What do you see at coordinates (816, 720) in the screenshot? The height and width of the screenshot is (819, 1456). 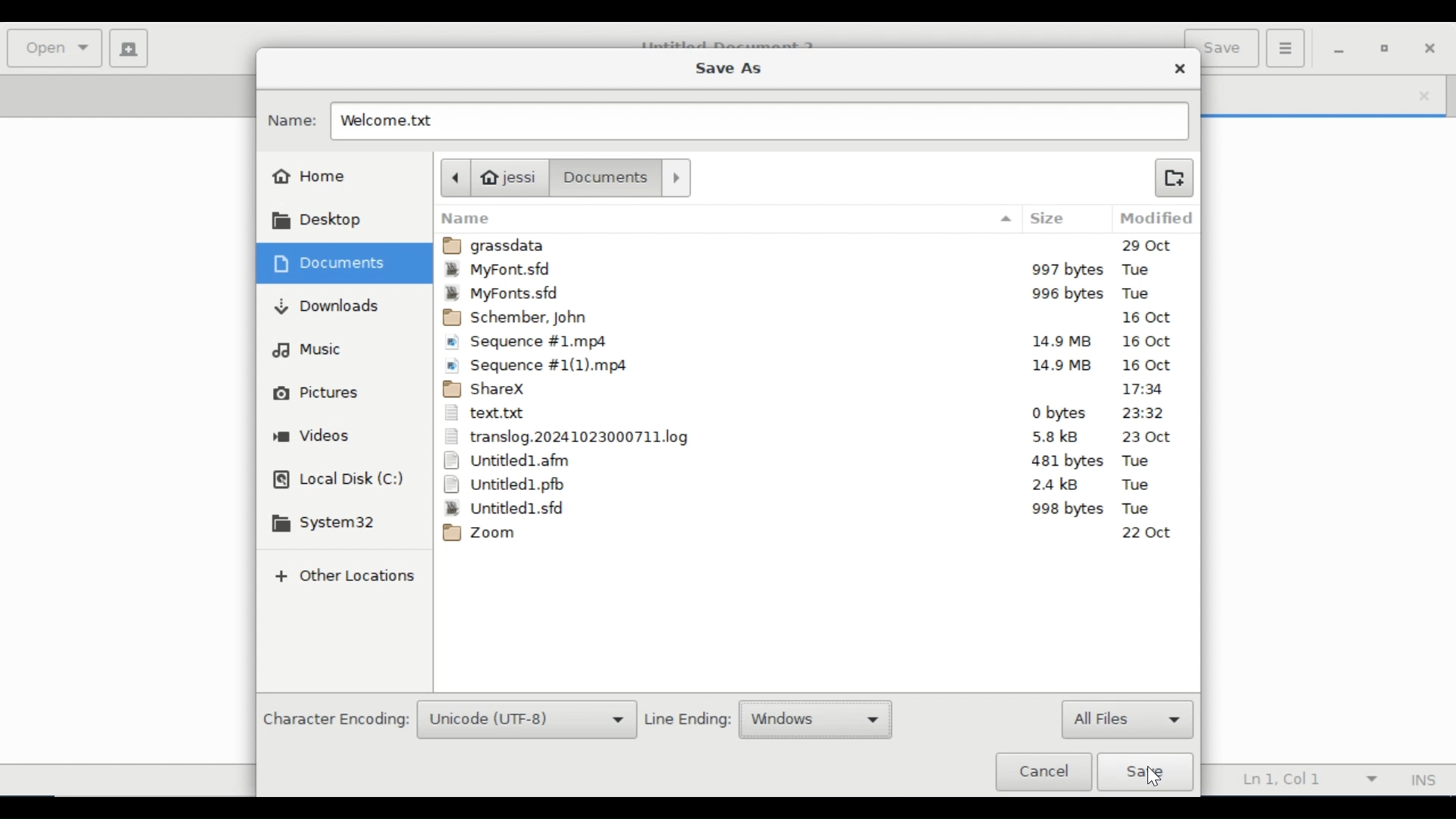 I see `Windows` at bounding box center [816, 720].